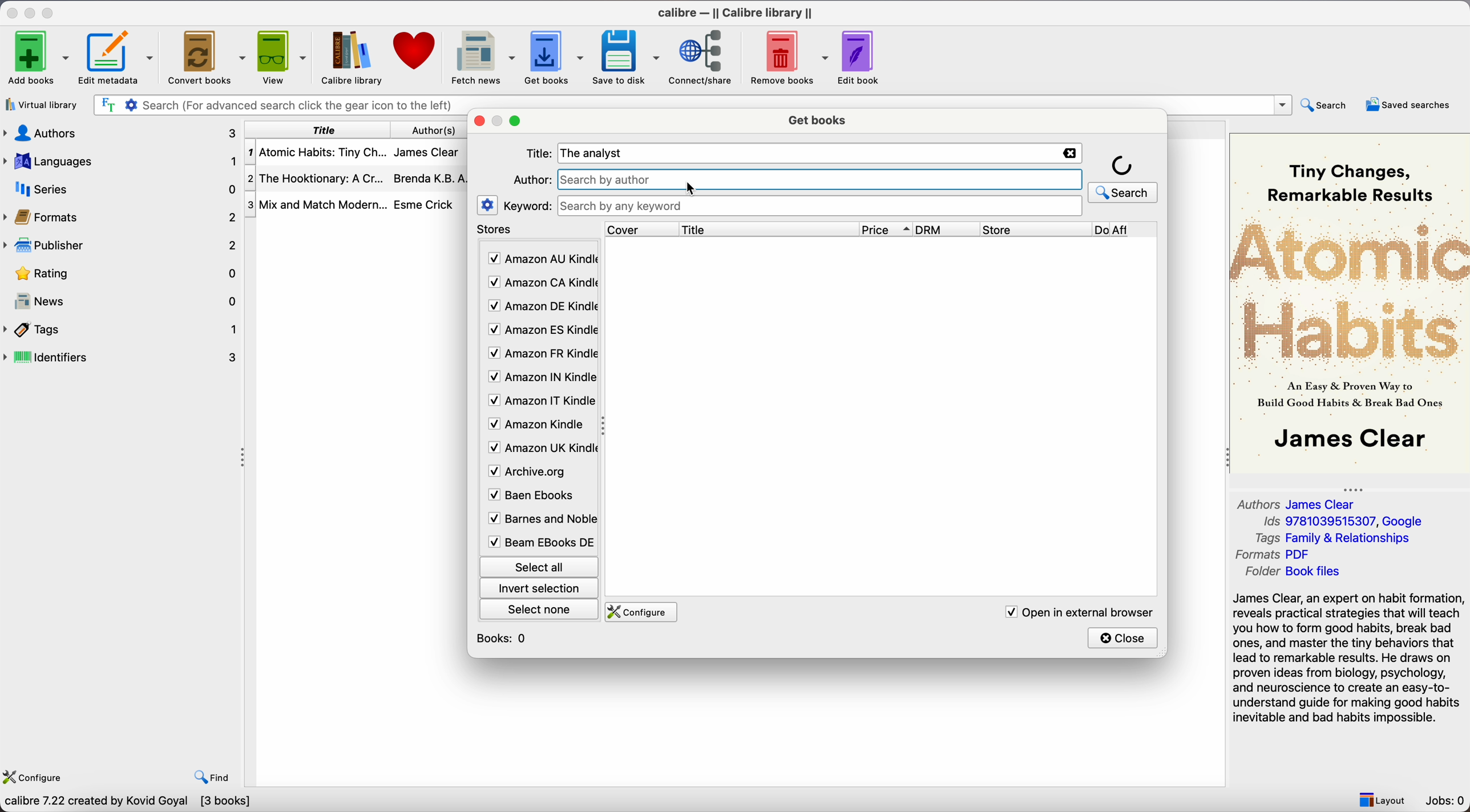 The height and width of the screenshot is (812, 1470). What do you see at coordinates (532, 180) in the screenshot?
I see `Author:` at bounding box center [532, 180].